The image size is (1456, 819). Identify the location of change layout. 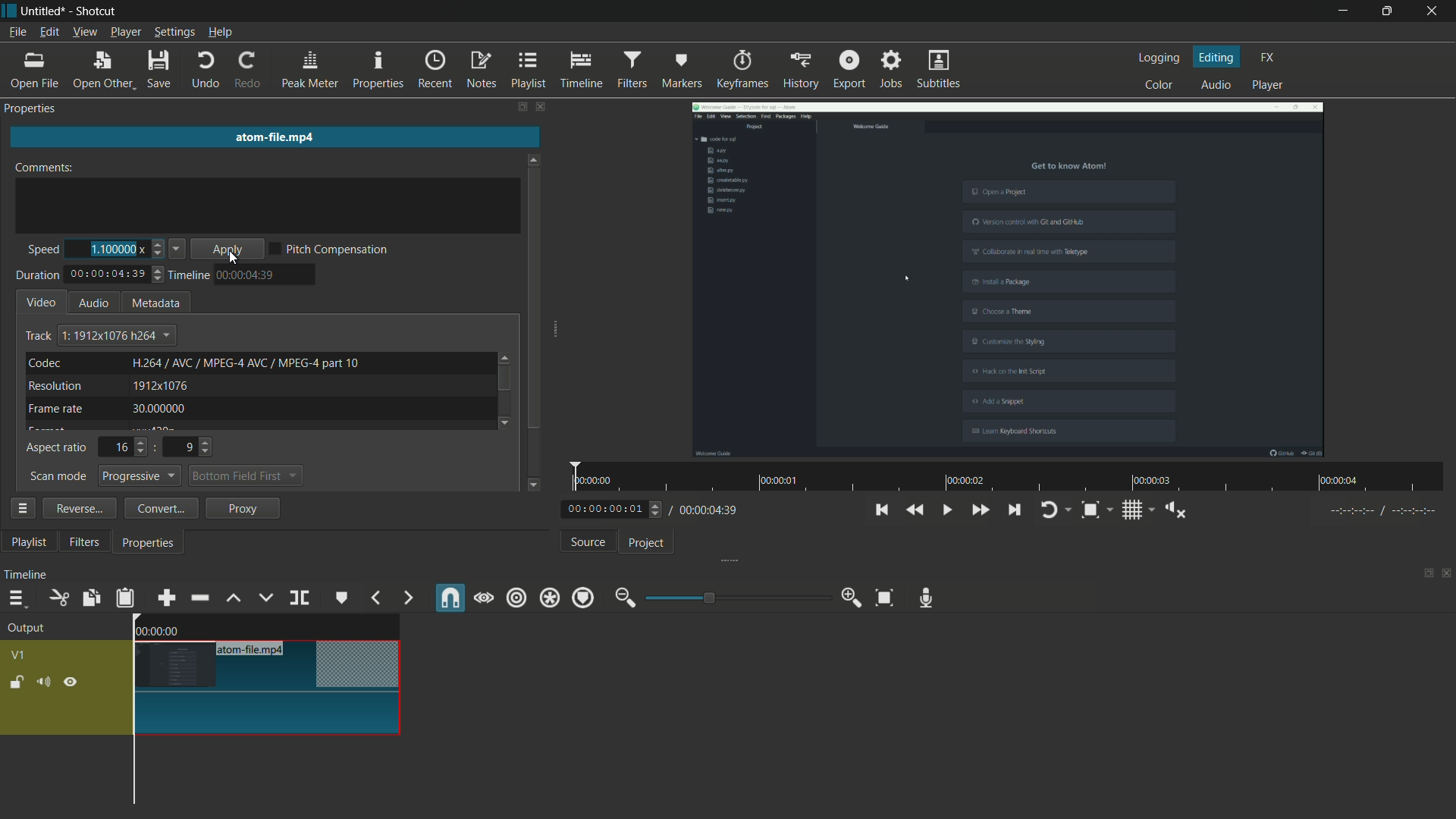
(521, 106).